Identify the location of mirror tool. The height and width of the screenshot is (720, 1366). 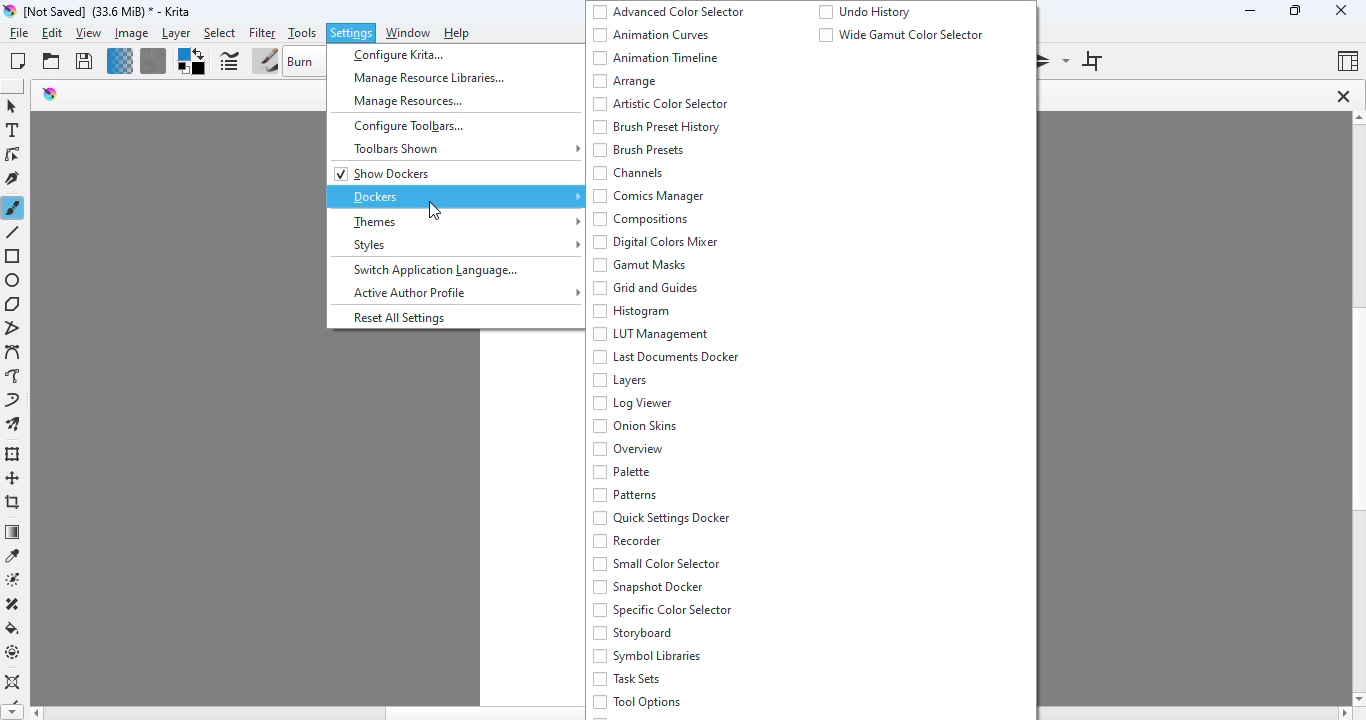
(1054, 60).